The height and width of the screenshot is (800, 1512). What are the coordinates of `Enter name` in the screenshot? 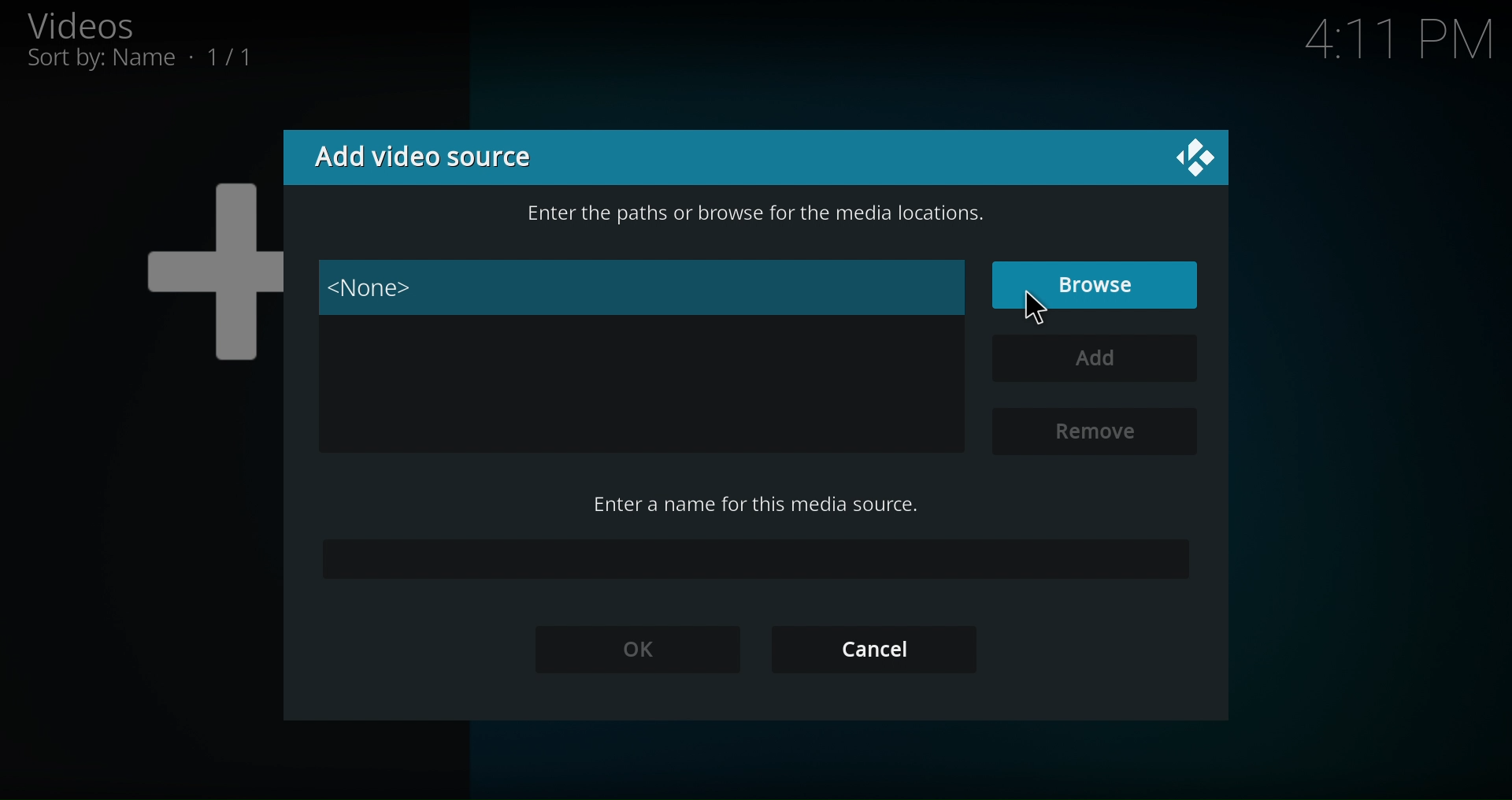 It's located at (753, 558).